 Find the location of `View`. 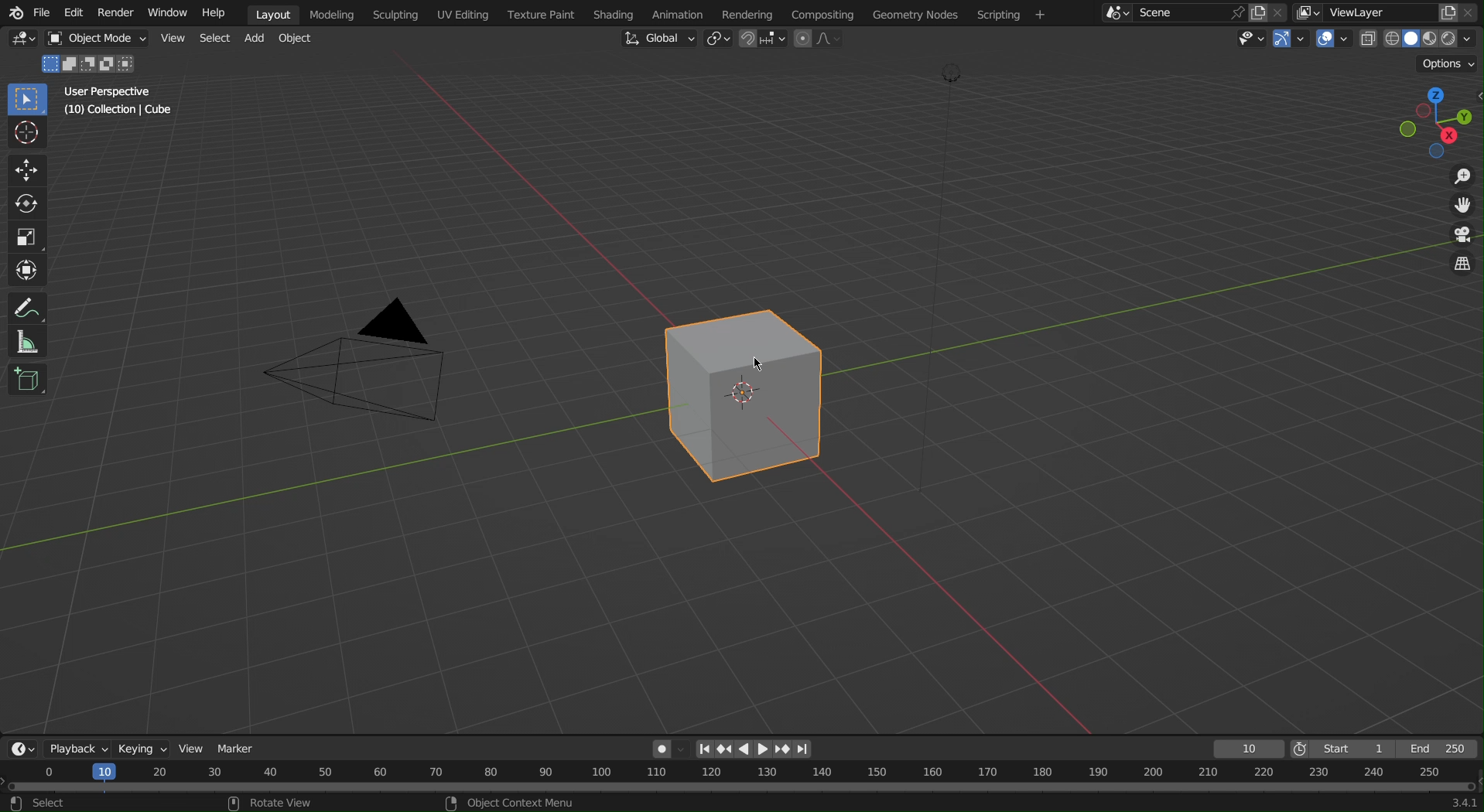

View is located at coordinates (190, 747).